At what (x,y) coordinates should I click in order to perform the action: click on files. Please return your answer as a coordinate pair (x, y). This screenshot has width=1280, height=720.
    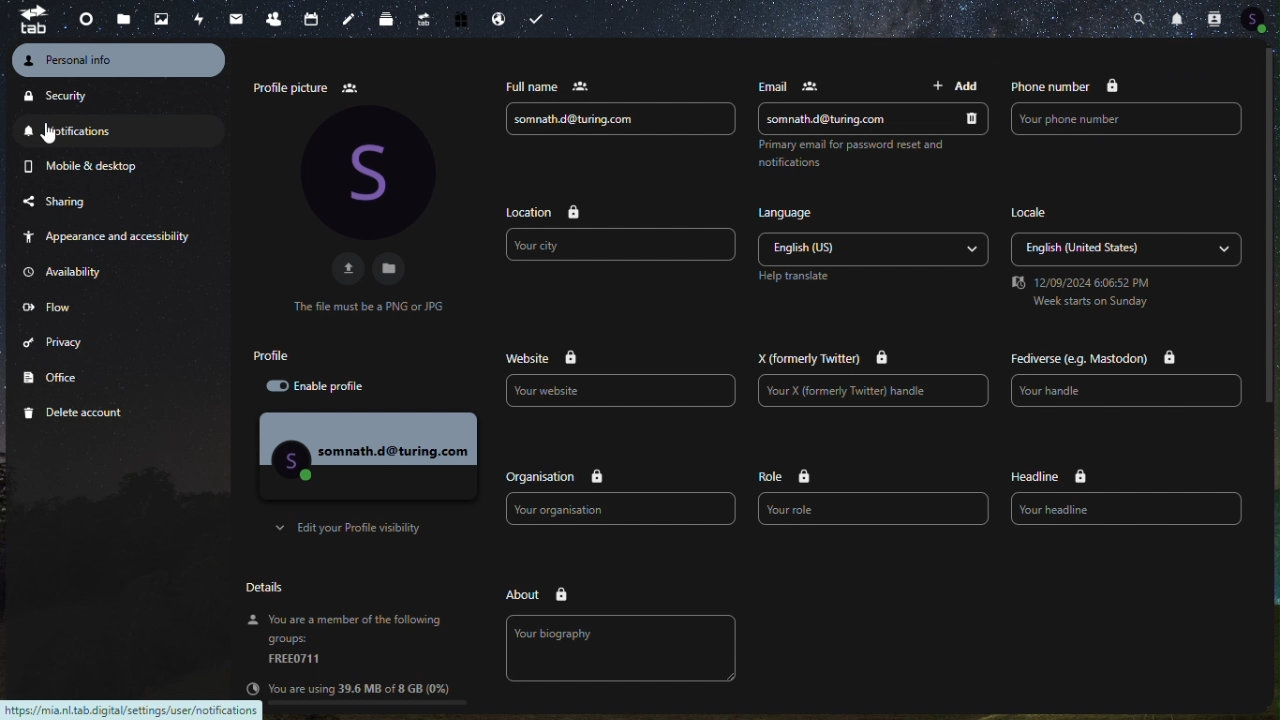
    Looking at the image, I should click on (126, 18).